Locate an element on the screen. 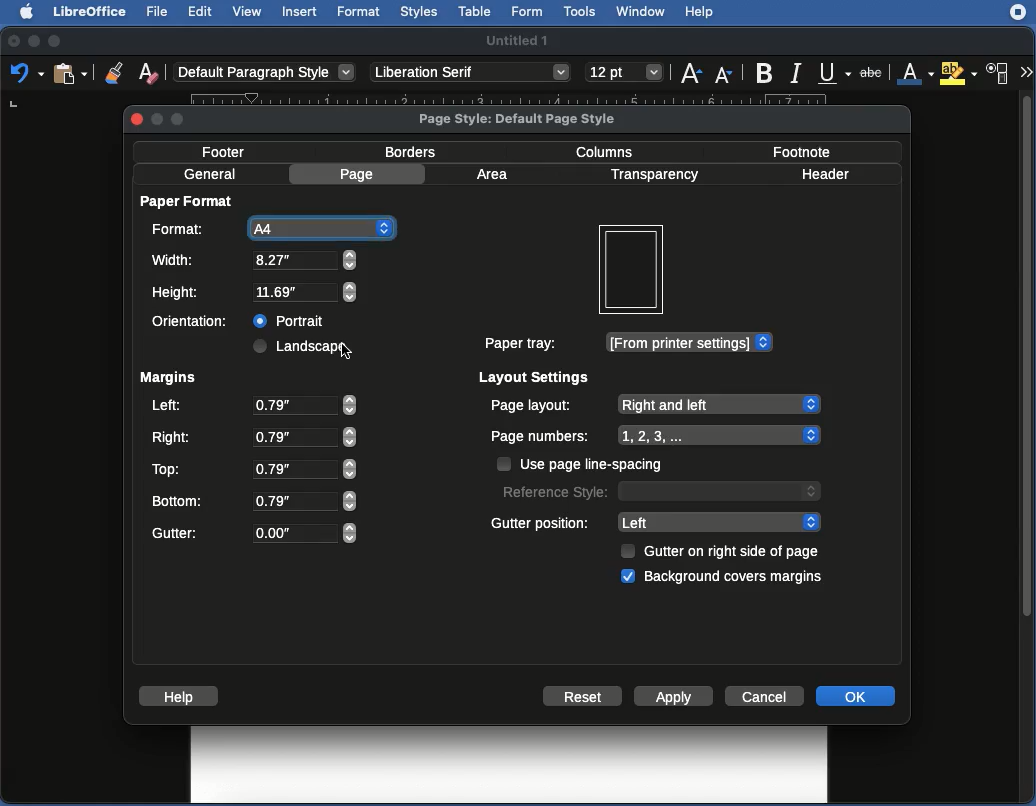 This screenshot has width=1036, height=806. Paper tray is located at coordinates (524, 342).